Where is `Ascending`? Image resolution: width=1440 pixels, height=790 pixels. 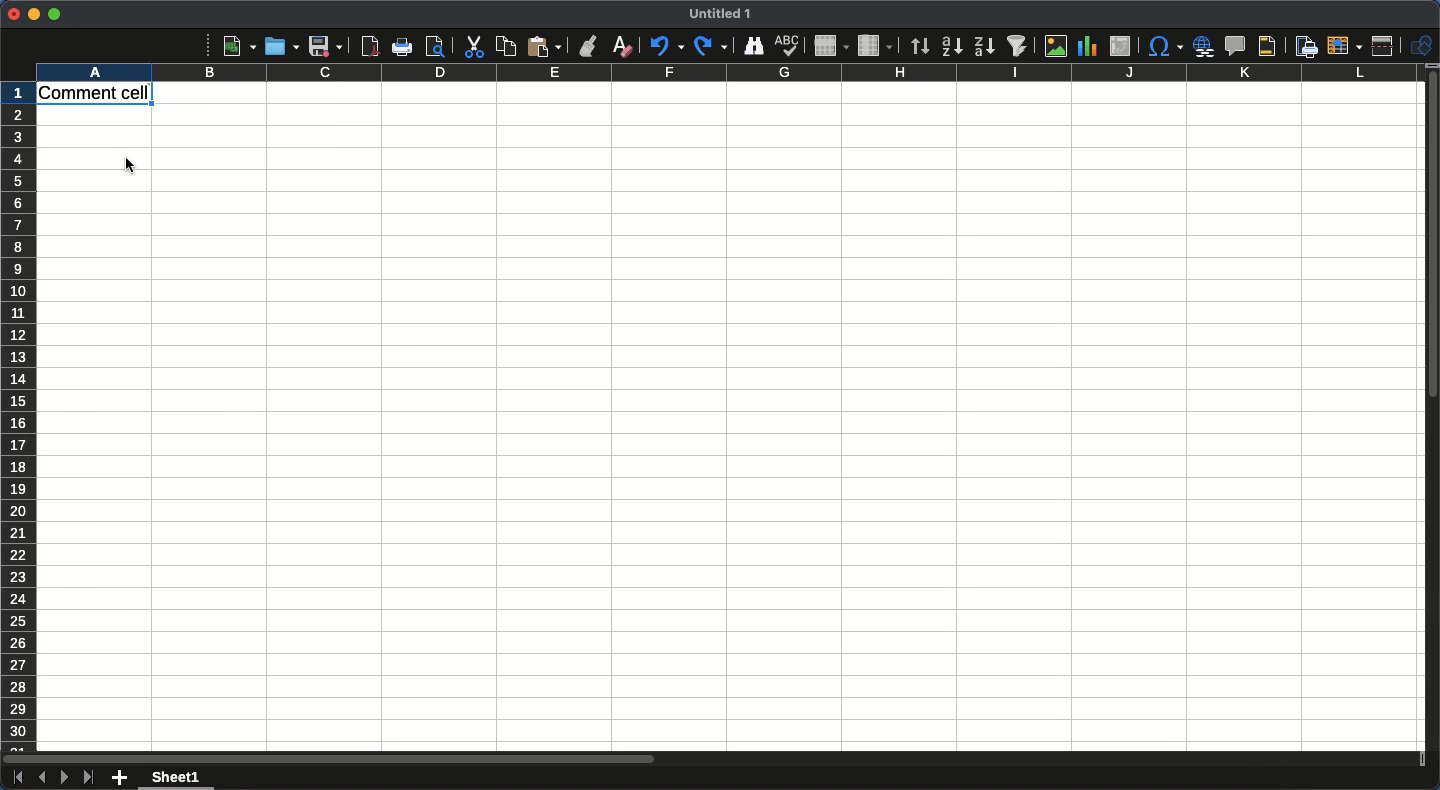
Ascending is located at coordinates (949, 45).